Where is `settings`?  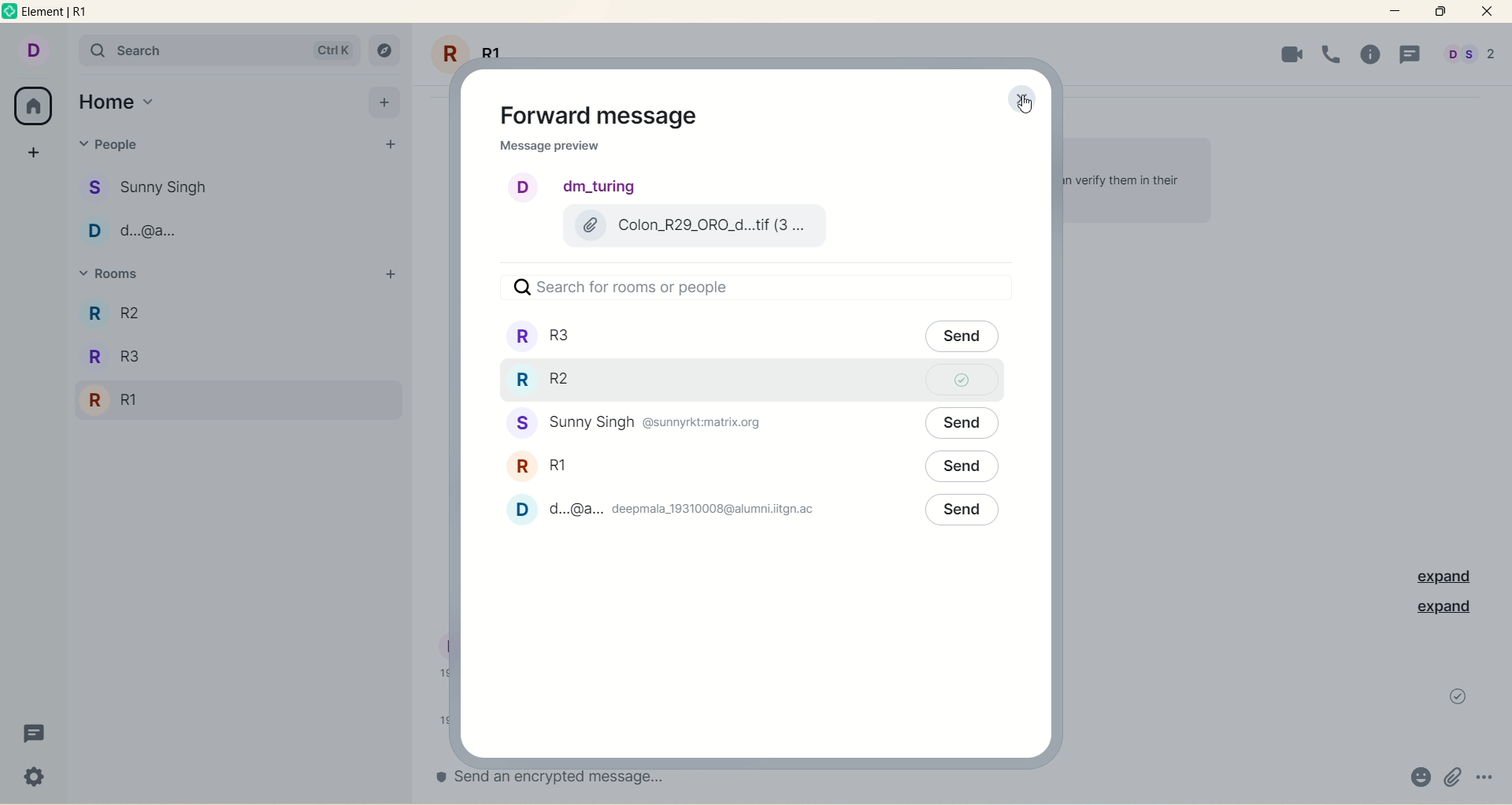 settings is located at coordinates (36, 779).